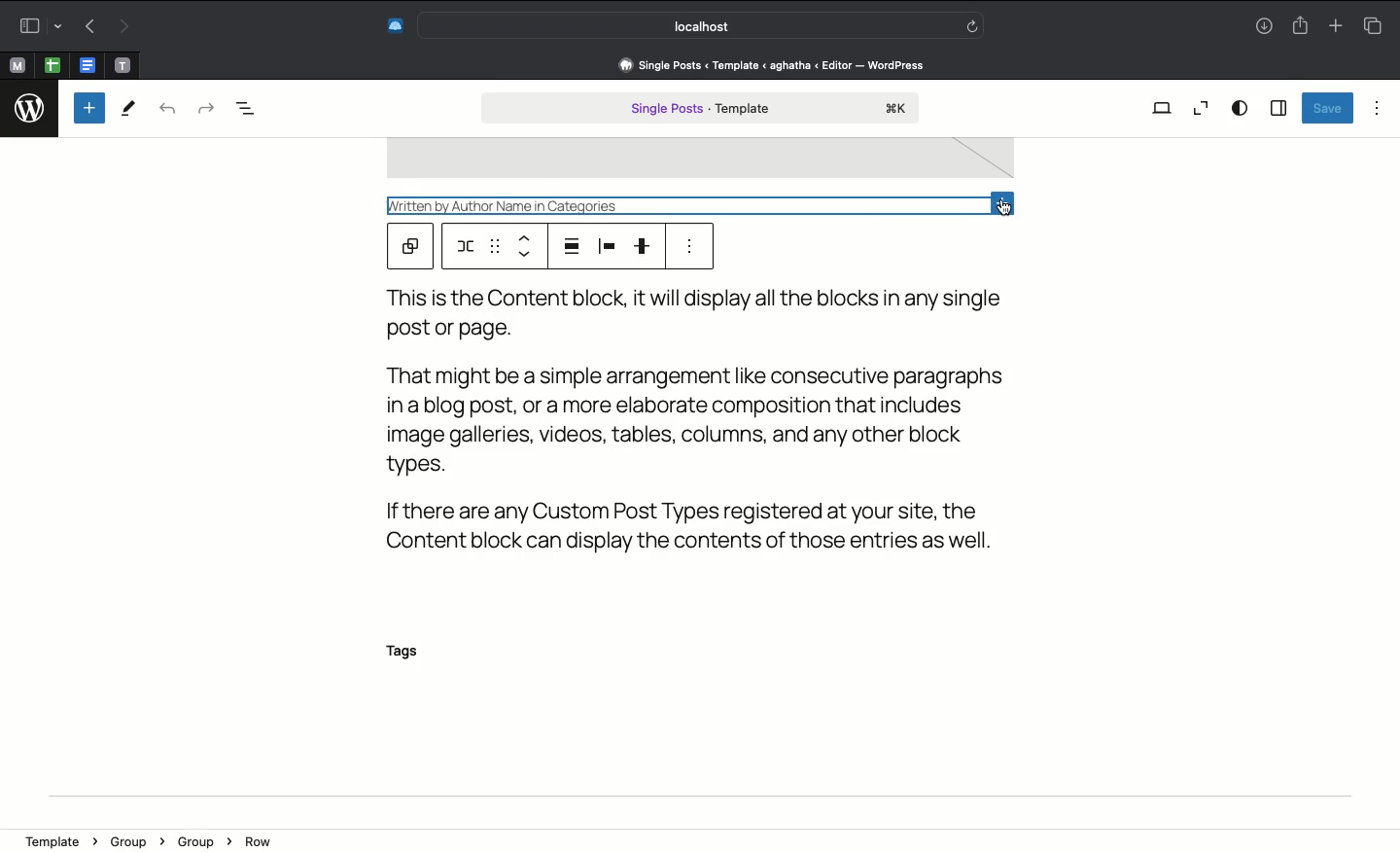 This screenshot has height=852, width=1400. I want to click on Save, so click(1326, 108).